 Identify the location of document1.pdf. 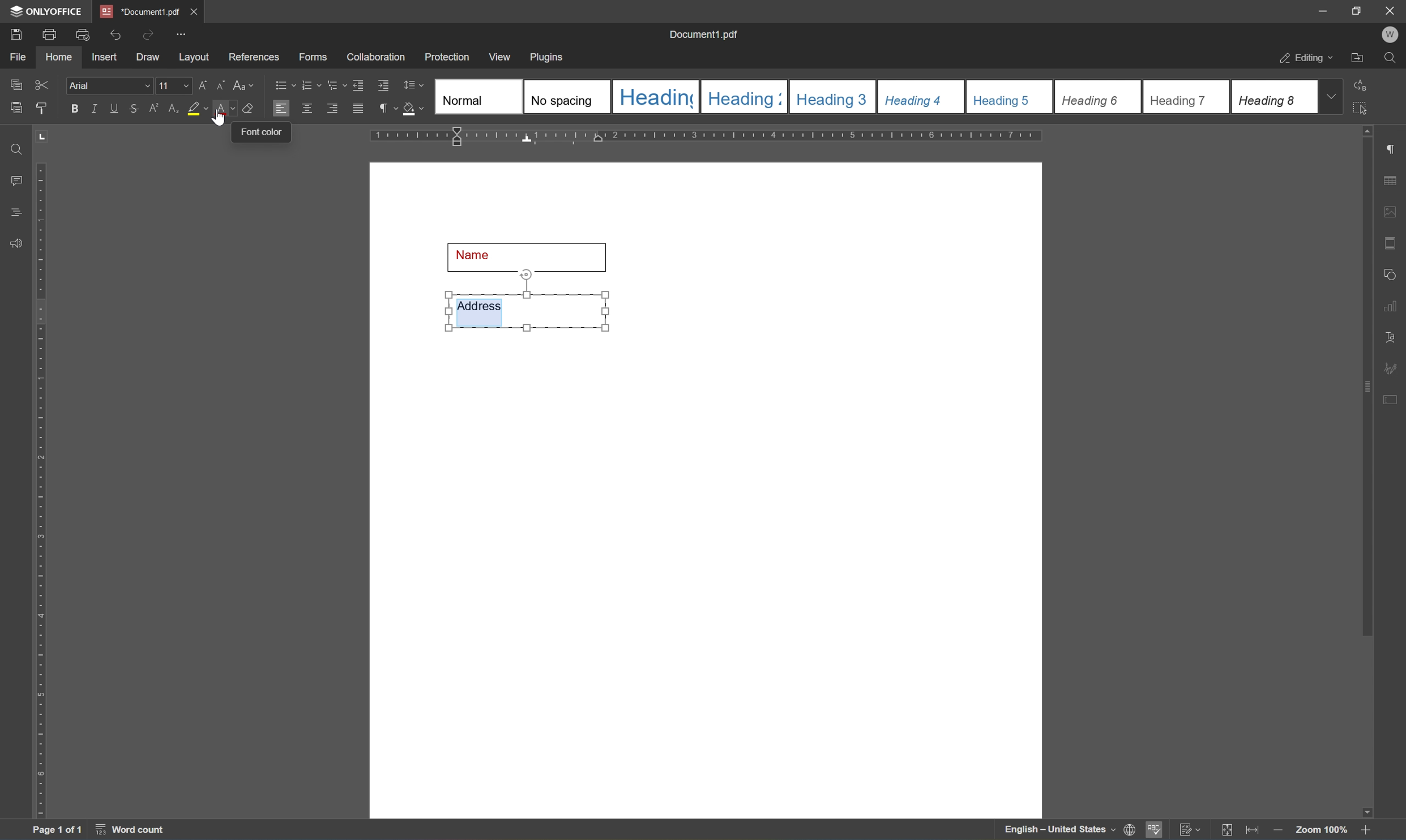
(704, 33).